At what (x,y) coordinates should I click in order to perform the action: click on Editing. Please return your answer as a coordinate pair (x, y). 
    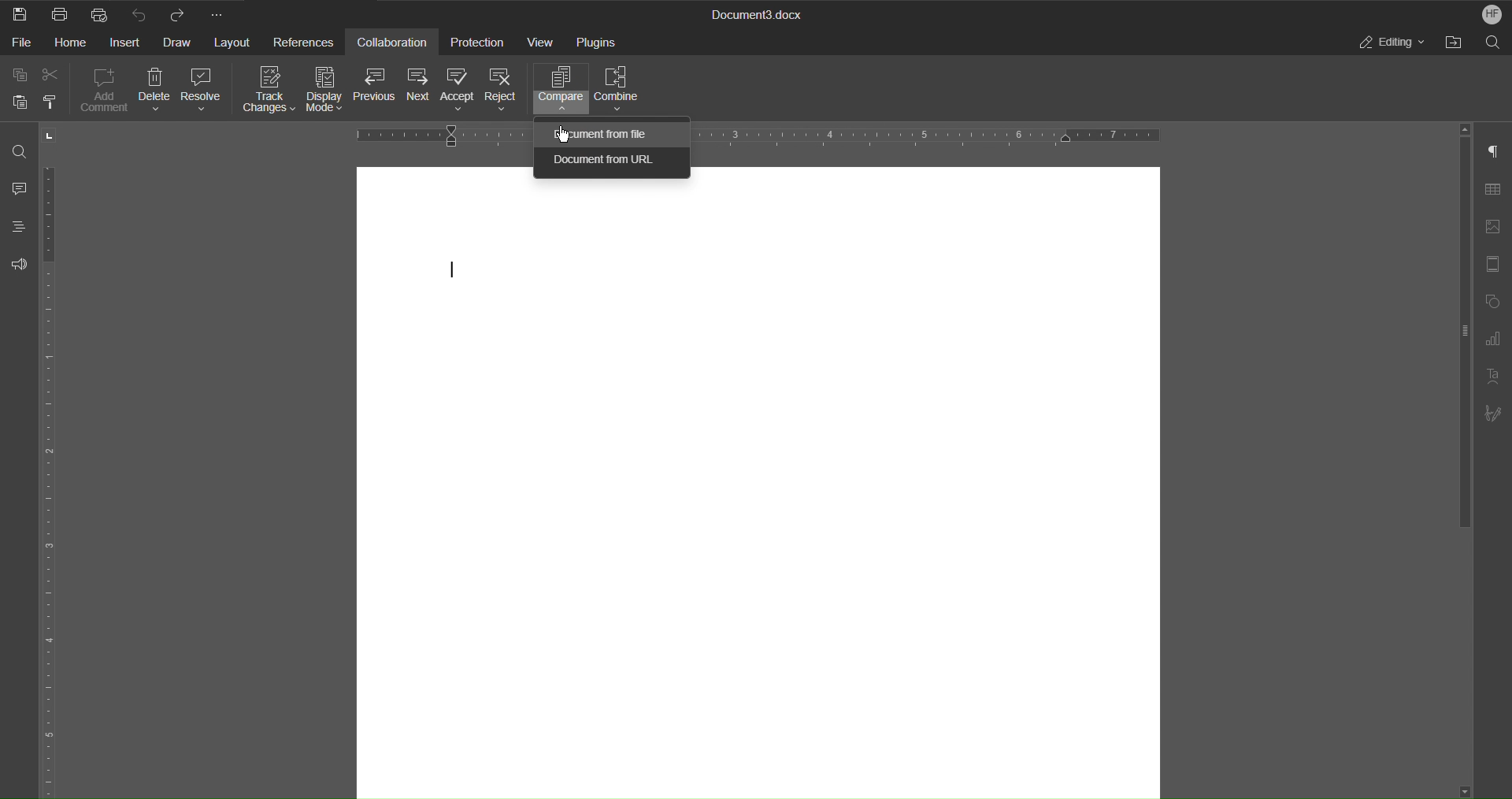
    Looking at the image, I should click on (1390, 43).